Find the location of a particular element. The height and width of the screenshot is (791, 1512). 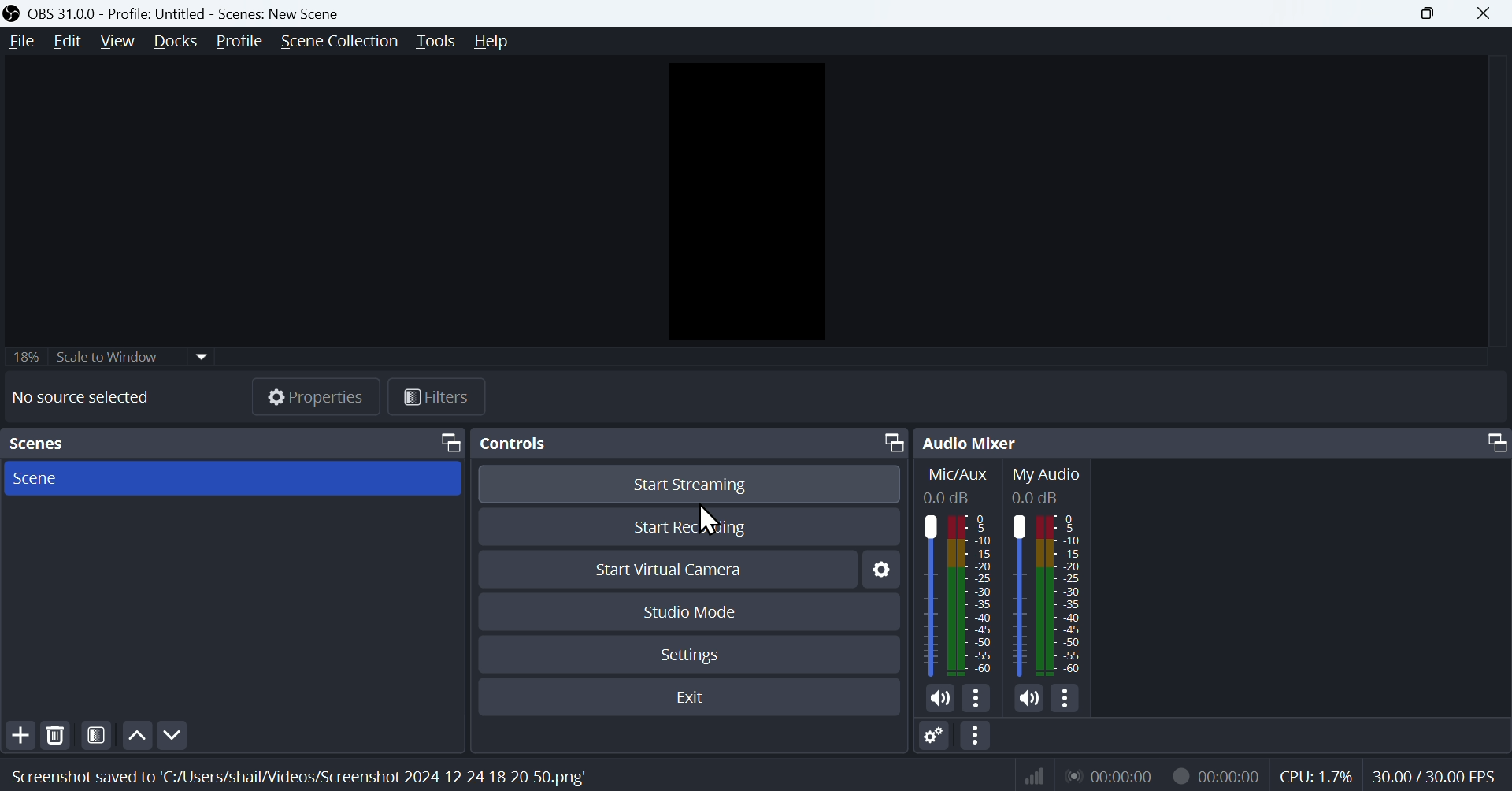

Filter is located at coordinates (440, 395).